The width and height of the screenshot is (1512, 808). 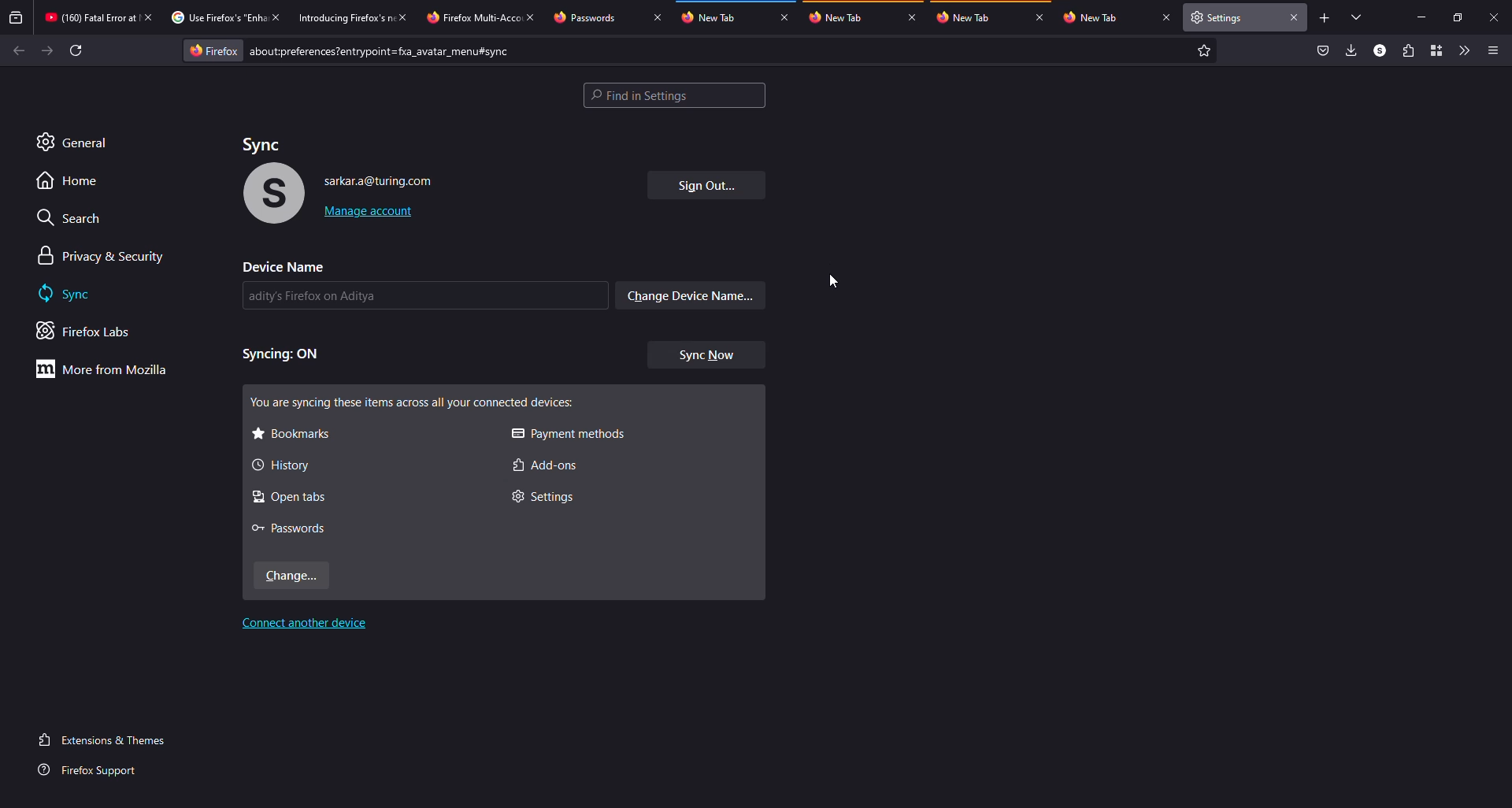 I want to click on name, so click(x=425, y=295).